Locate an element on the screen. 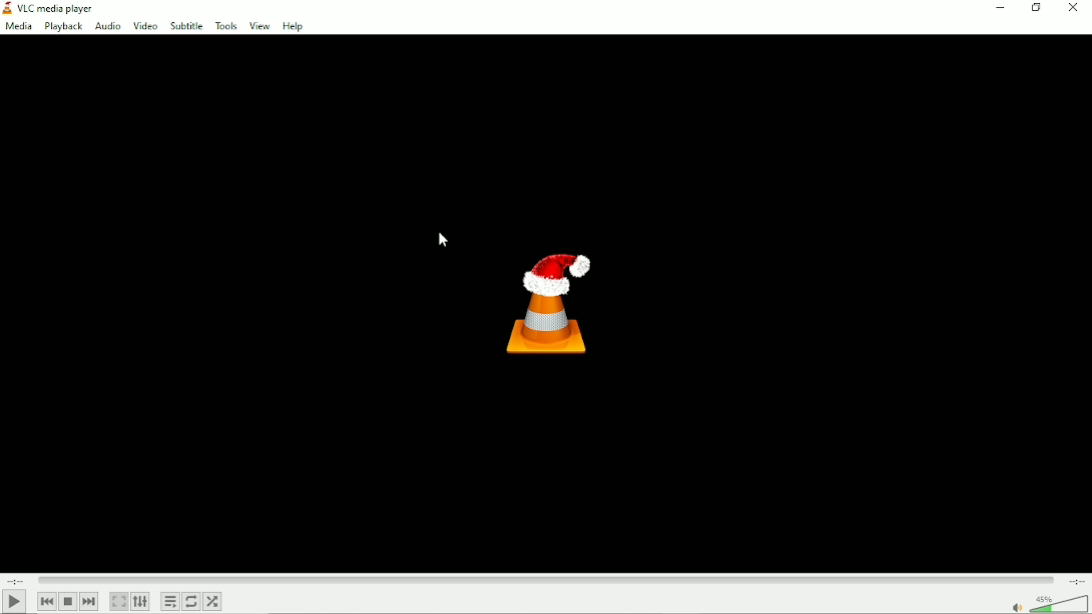  Random is located at coordinates (212, 602).